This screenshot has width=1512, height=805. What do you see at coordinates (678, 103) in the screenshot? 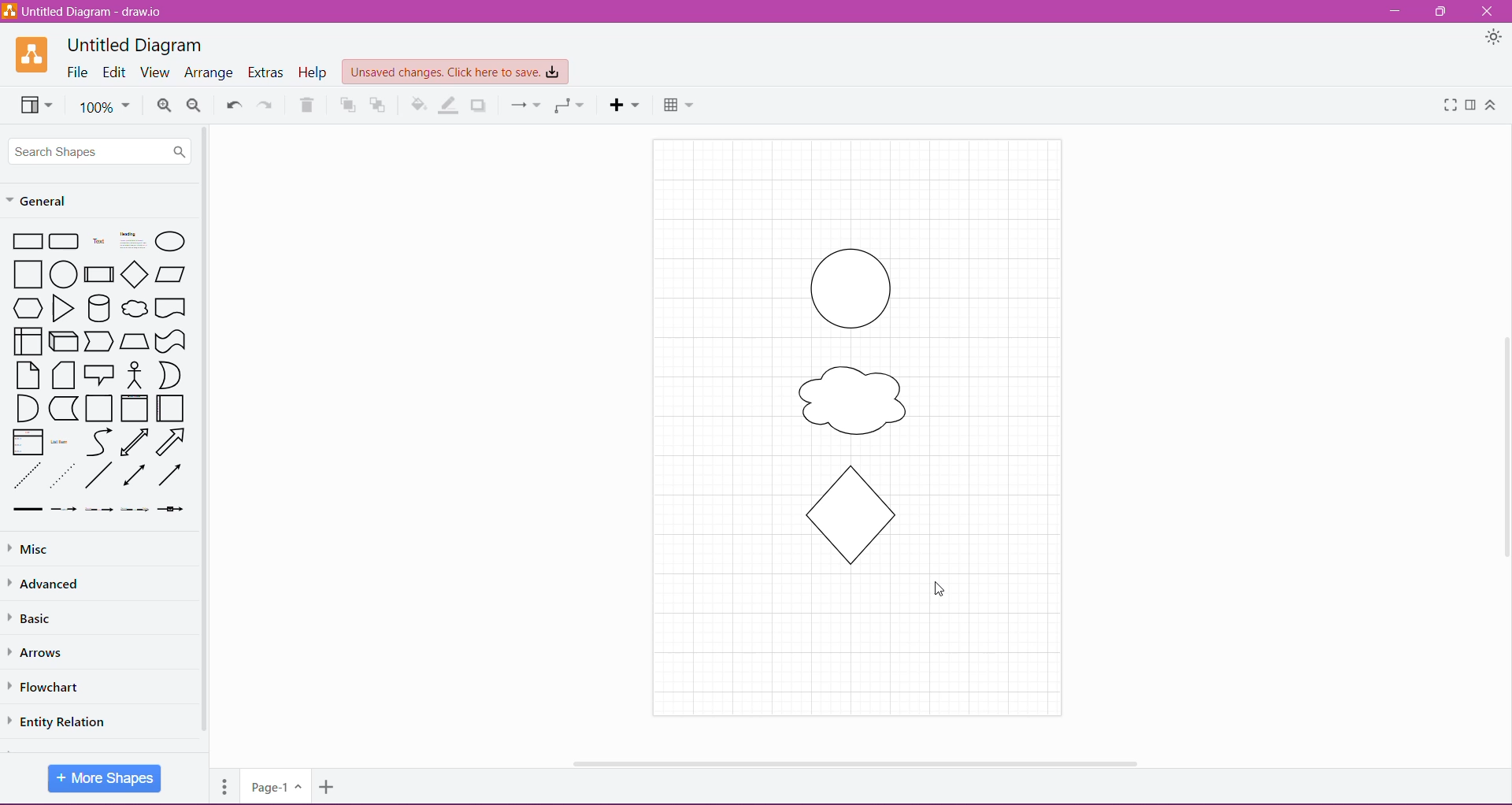
I see `Table` at bounding box center [678, 103].